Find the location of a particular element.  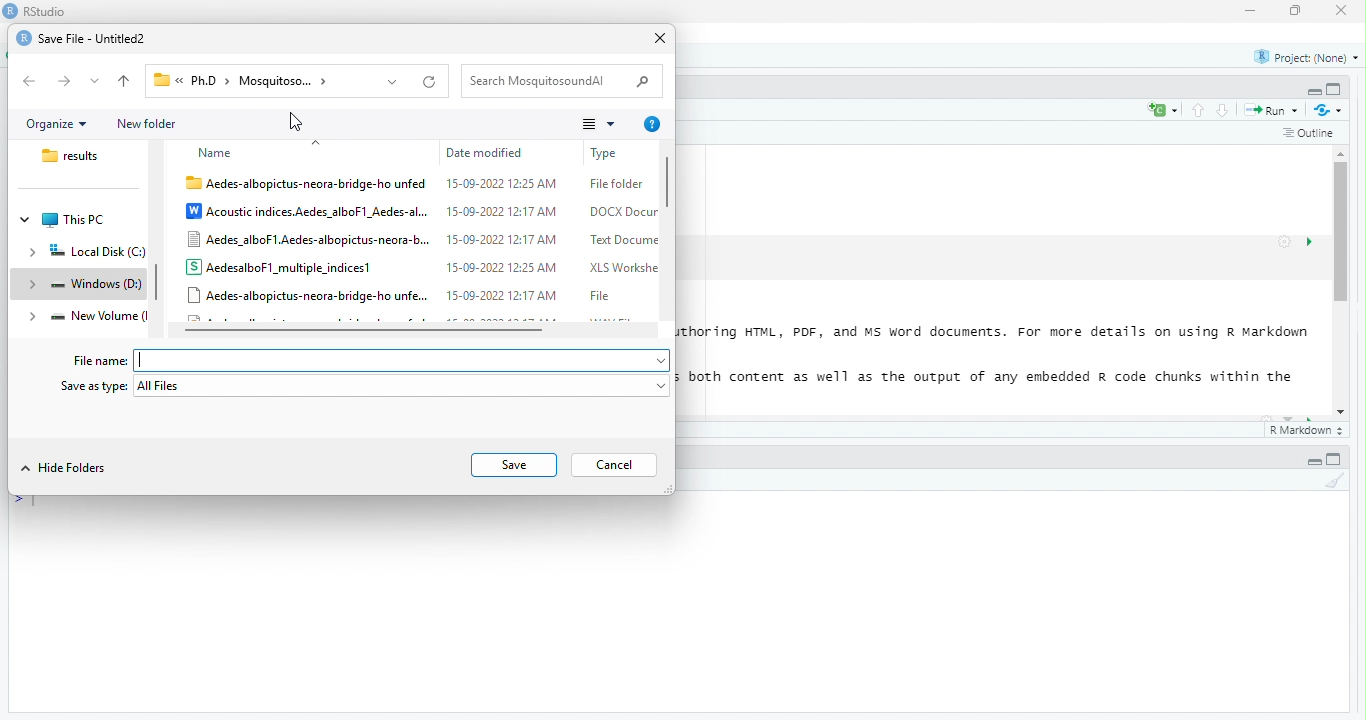

Acoustic indices.Aedes_alboF1_Aedes-al.. 15-09-2022 1217AM ~~ DOCX Document is located at coordinates (422, 212).